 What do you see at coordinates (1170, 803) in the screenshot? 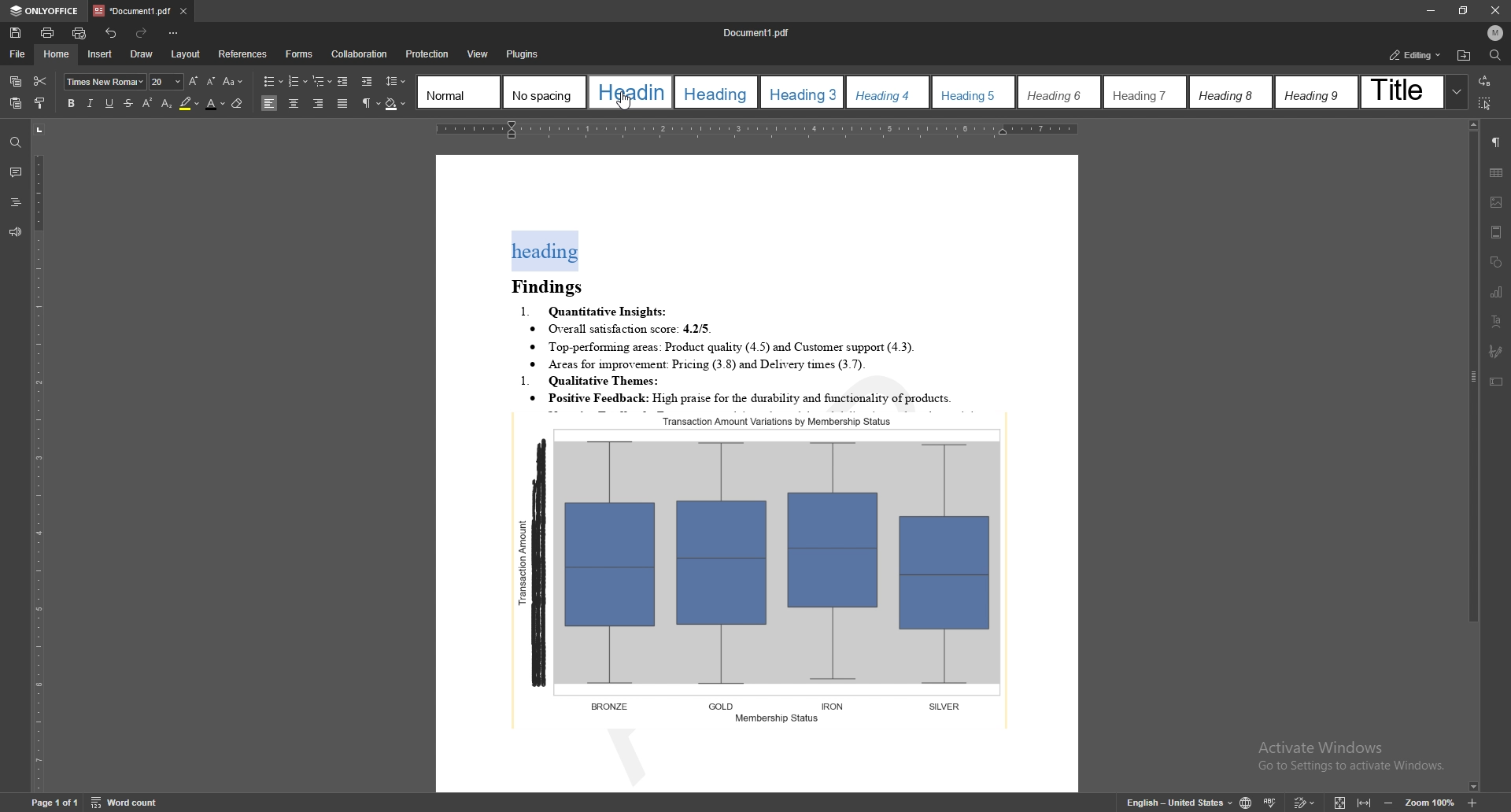
I see `English- United kingdom` at bounding box center [1170, 803].